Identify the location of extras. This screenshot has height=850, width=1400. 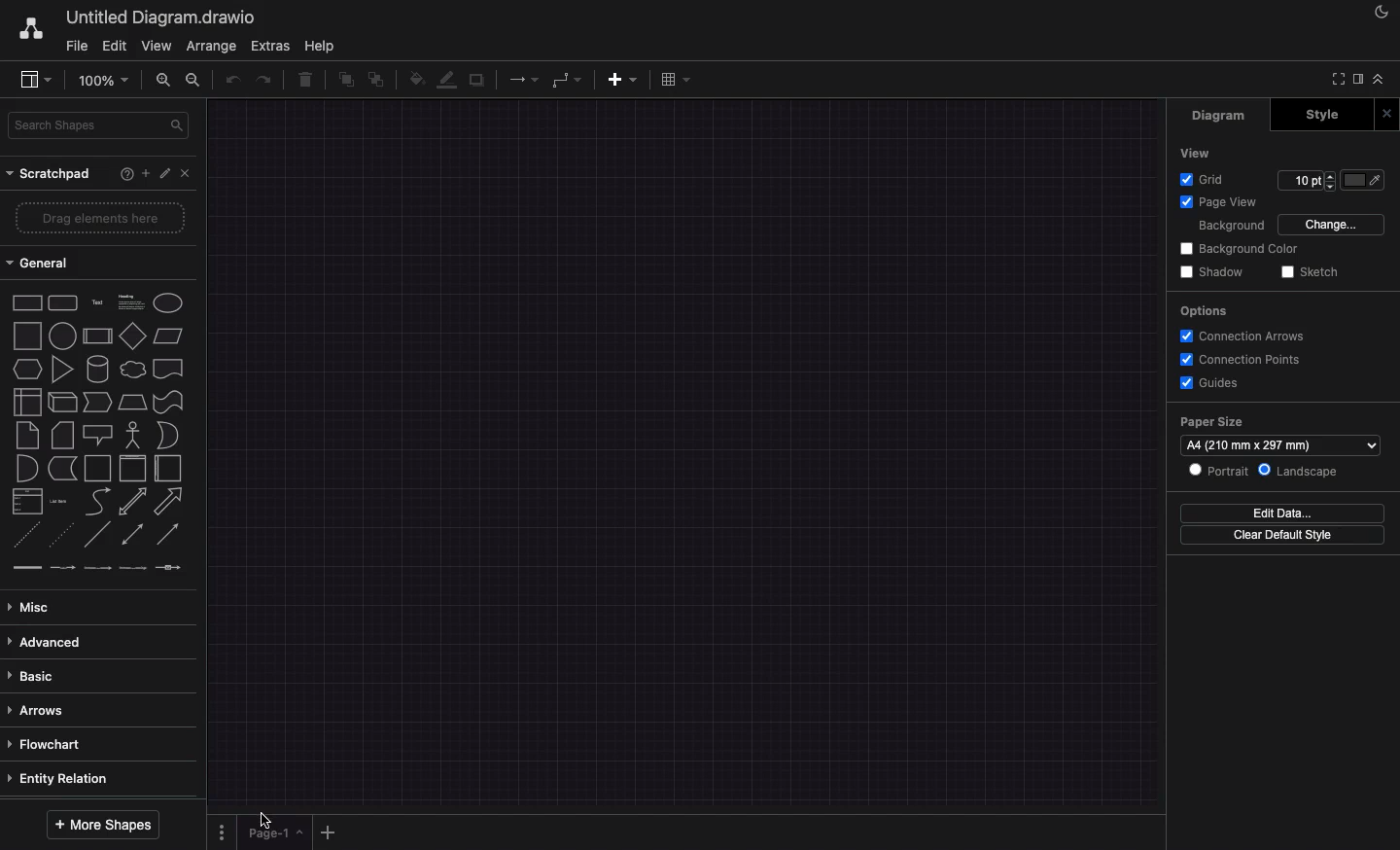
(268, 45).